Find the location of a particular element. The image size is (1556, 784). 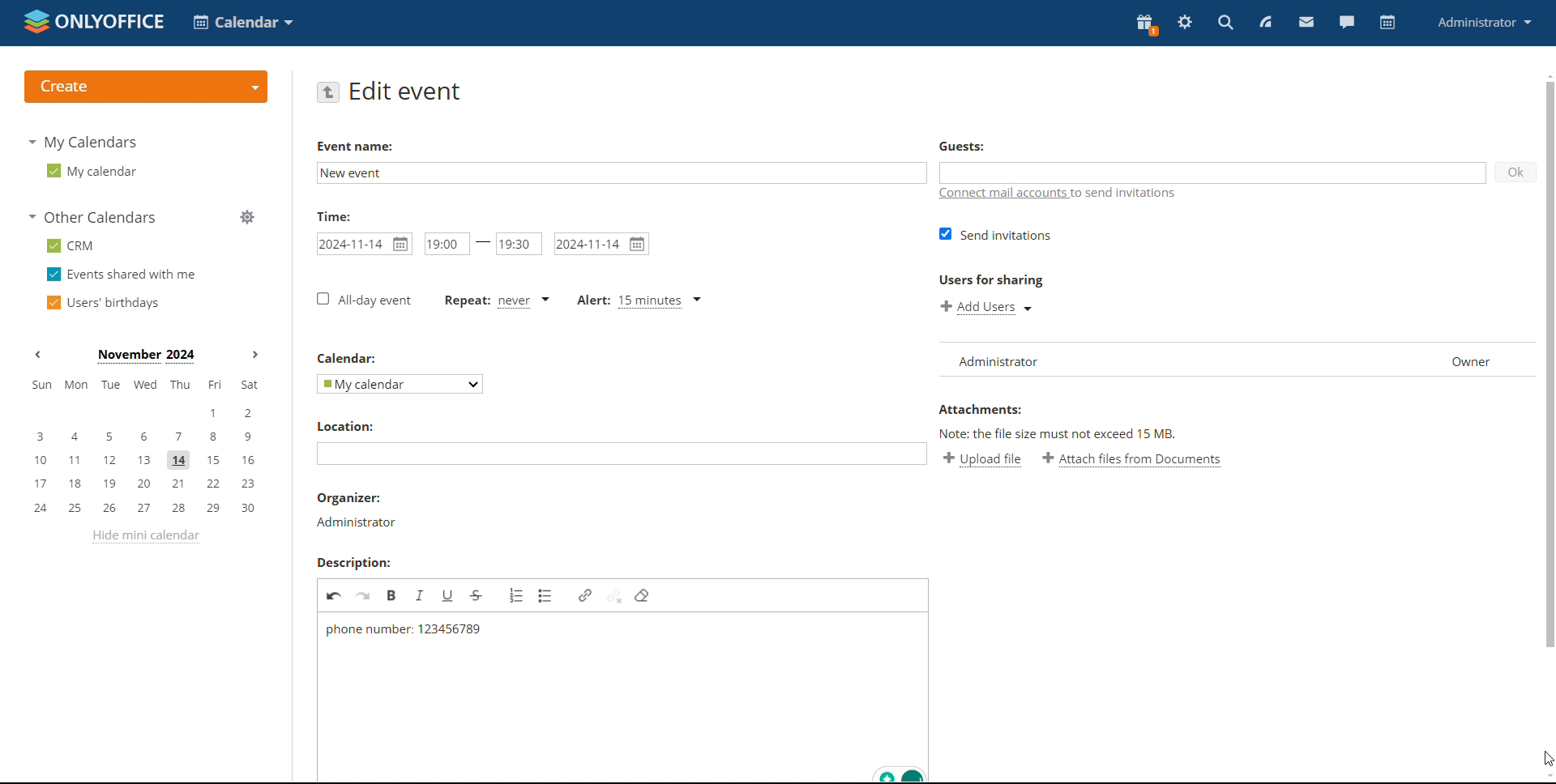

add location is located at coordinates (622, 454).